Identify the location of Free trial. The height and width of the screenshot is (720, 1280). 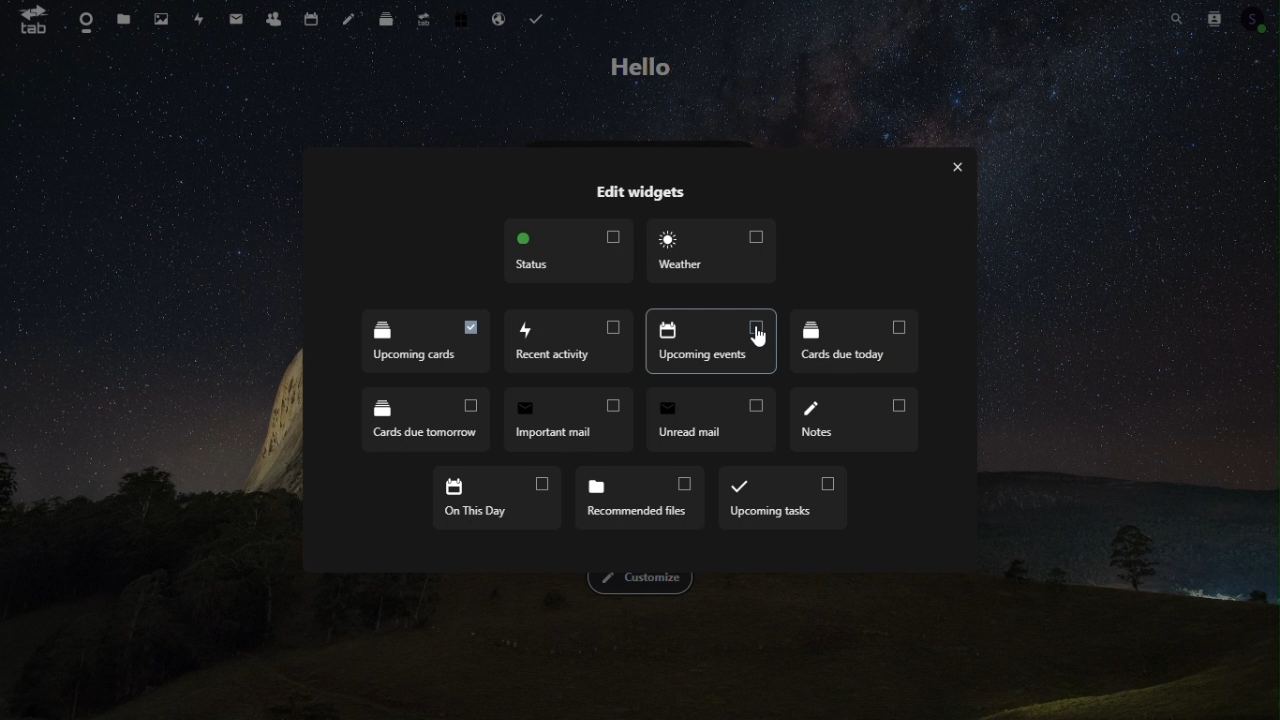
(462, 16).